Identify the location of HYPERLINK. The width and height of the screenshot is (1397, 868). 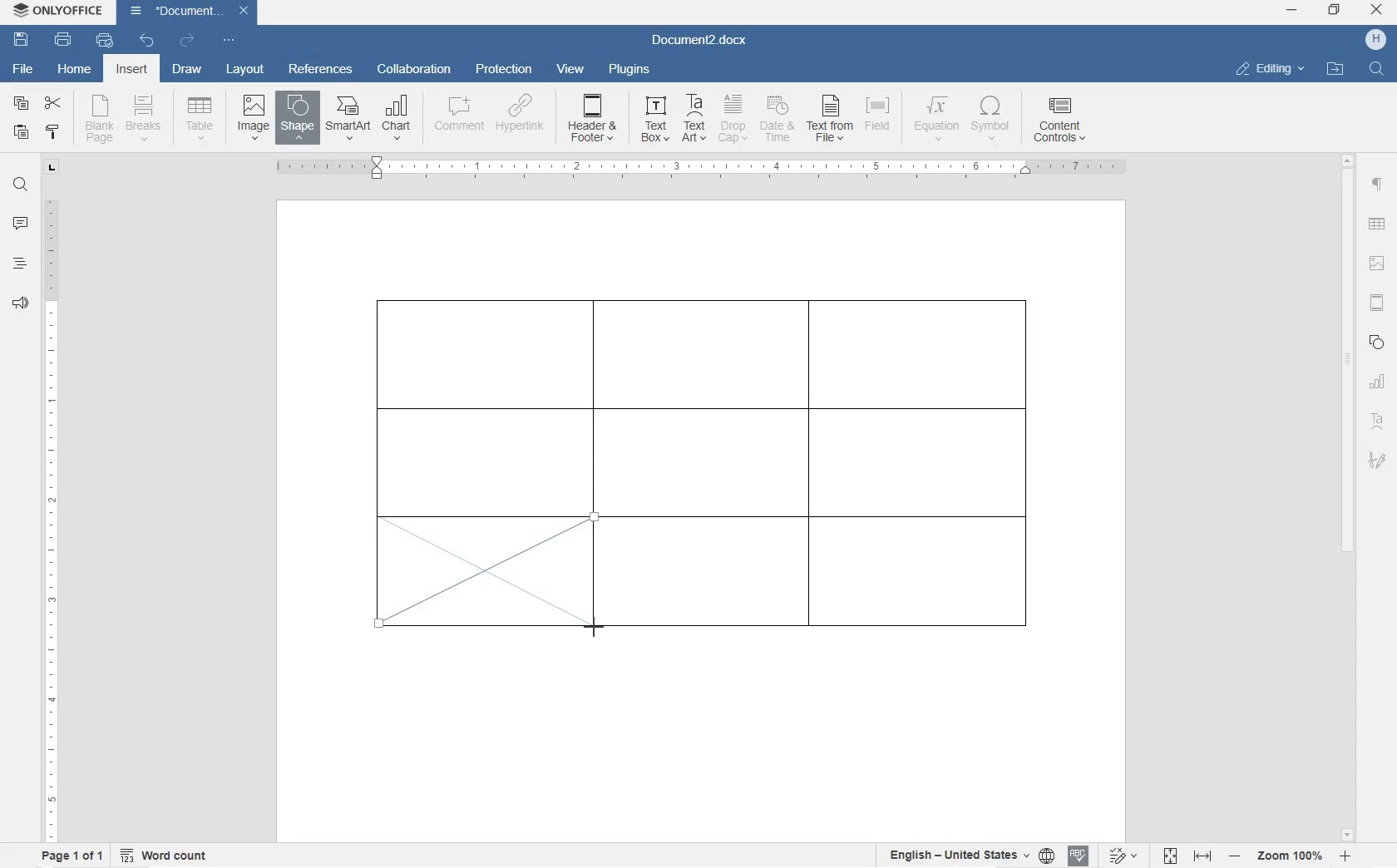
(521, 119).